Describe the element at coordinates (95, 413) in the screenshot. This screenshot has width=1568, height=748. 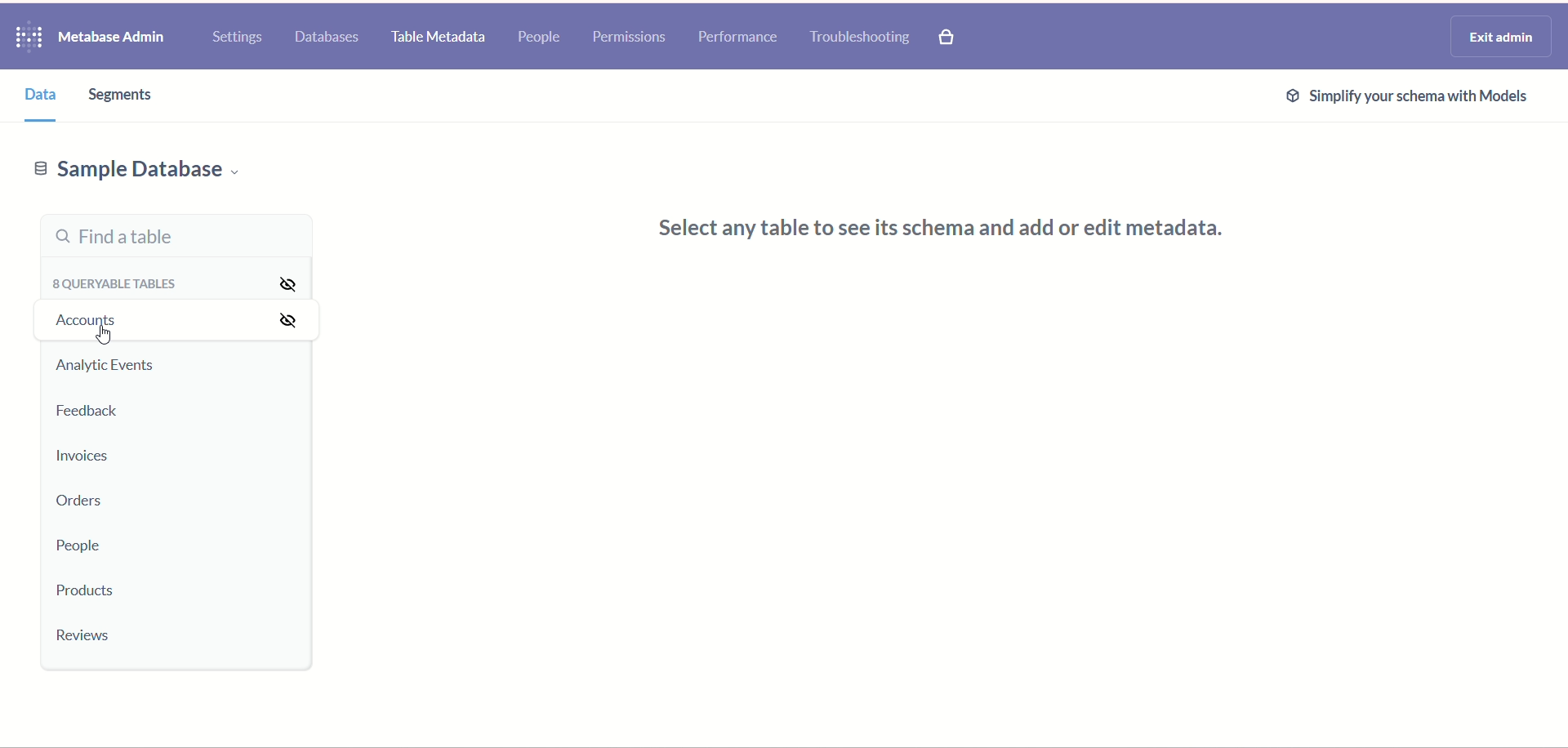
I see `eedback` at that location.